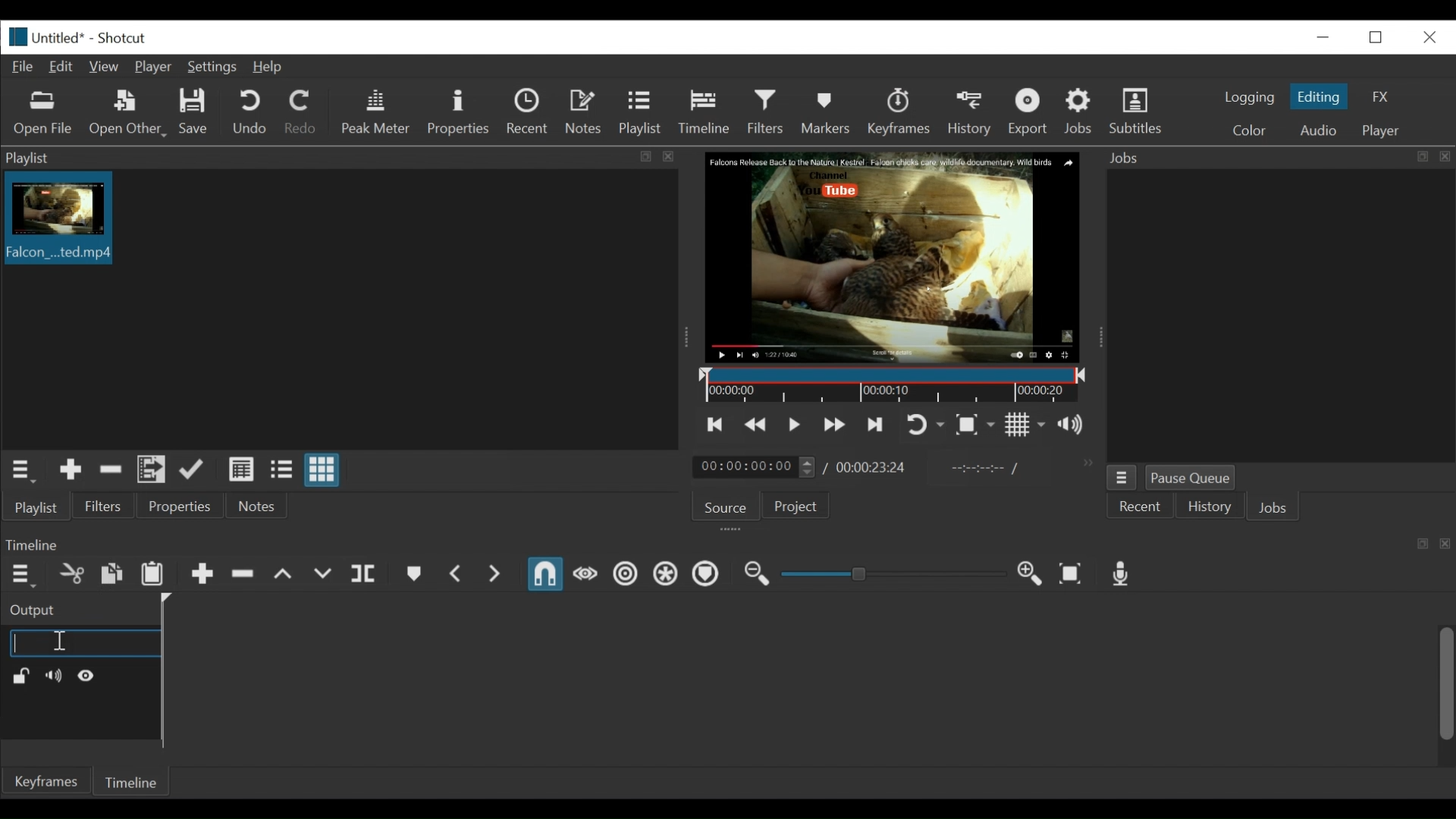  I want to click on Jobs, so click(1079, 111).